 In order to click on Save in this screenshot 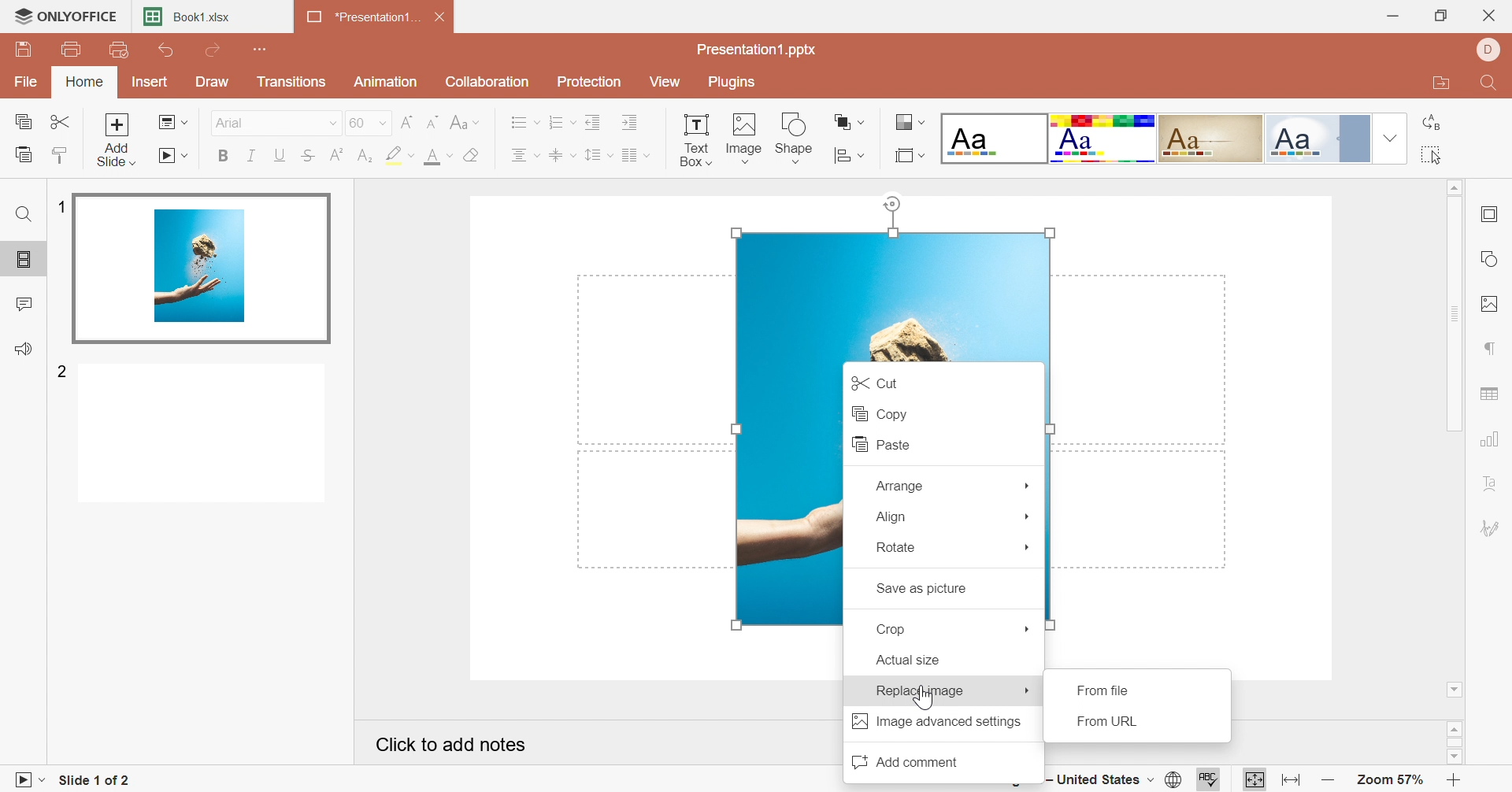, I will do `click(26, 52)`.